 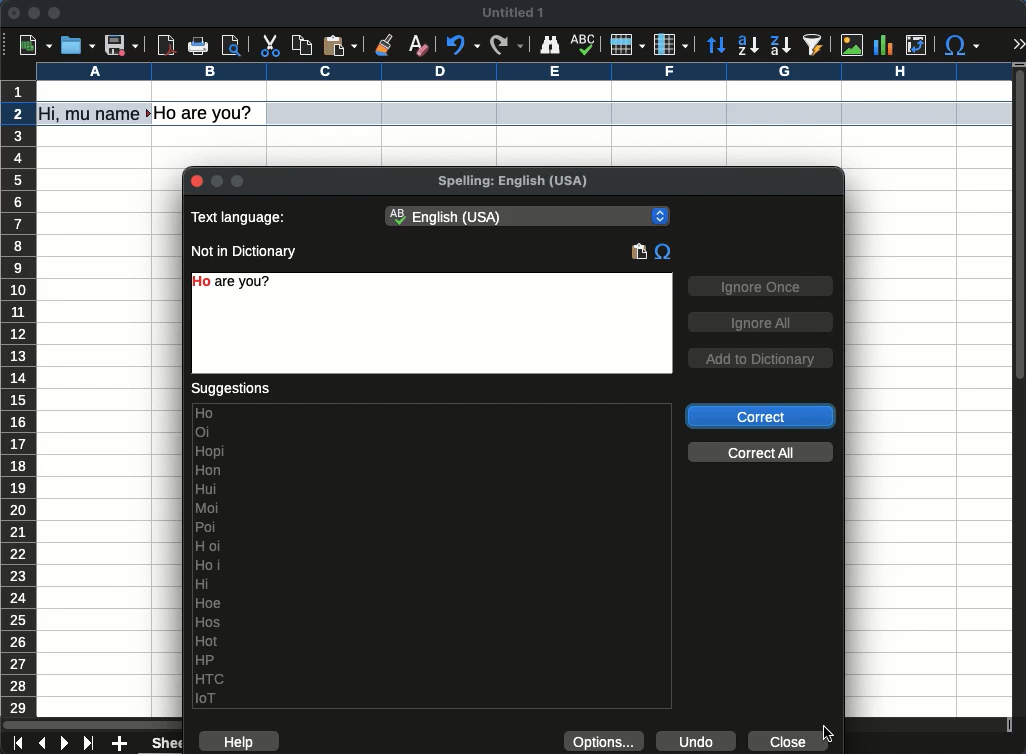 What do you see at coordinates (855, 46) in the screenshot?
I see `image` at bounding box center [855, 46].